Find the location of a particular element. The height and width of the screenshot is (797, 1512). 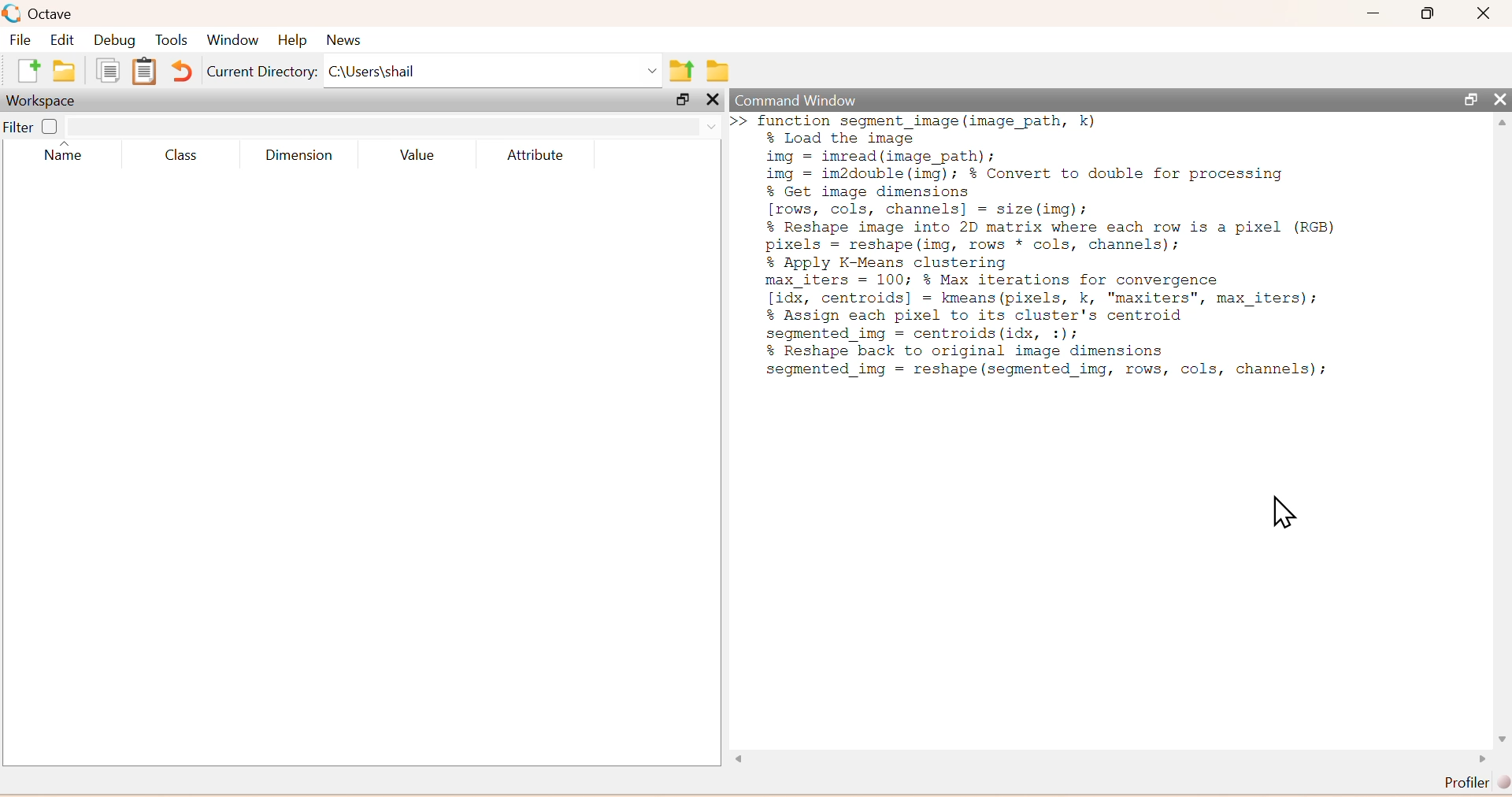

drop down is located at coordinates (709, 124).